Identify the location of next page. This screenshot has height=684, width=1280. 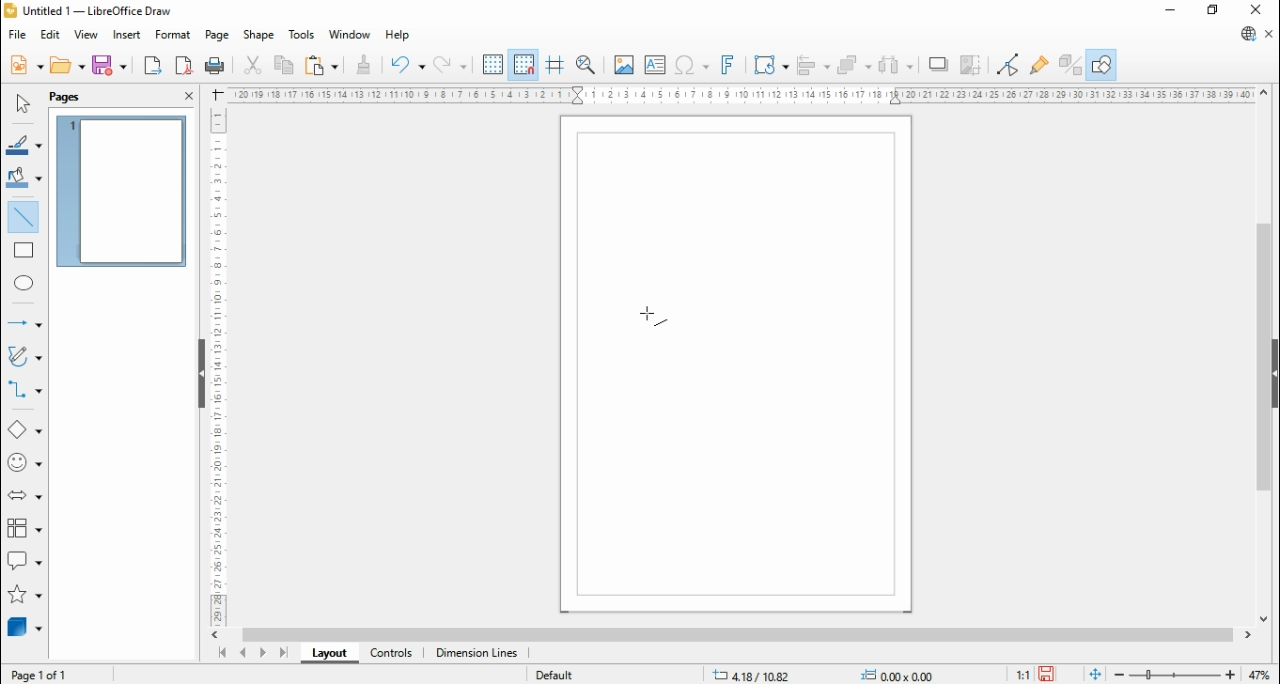
(262, 652).